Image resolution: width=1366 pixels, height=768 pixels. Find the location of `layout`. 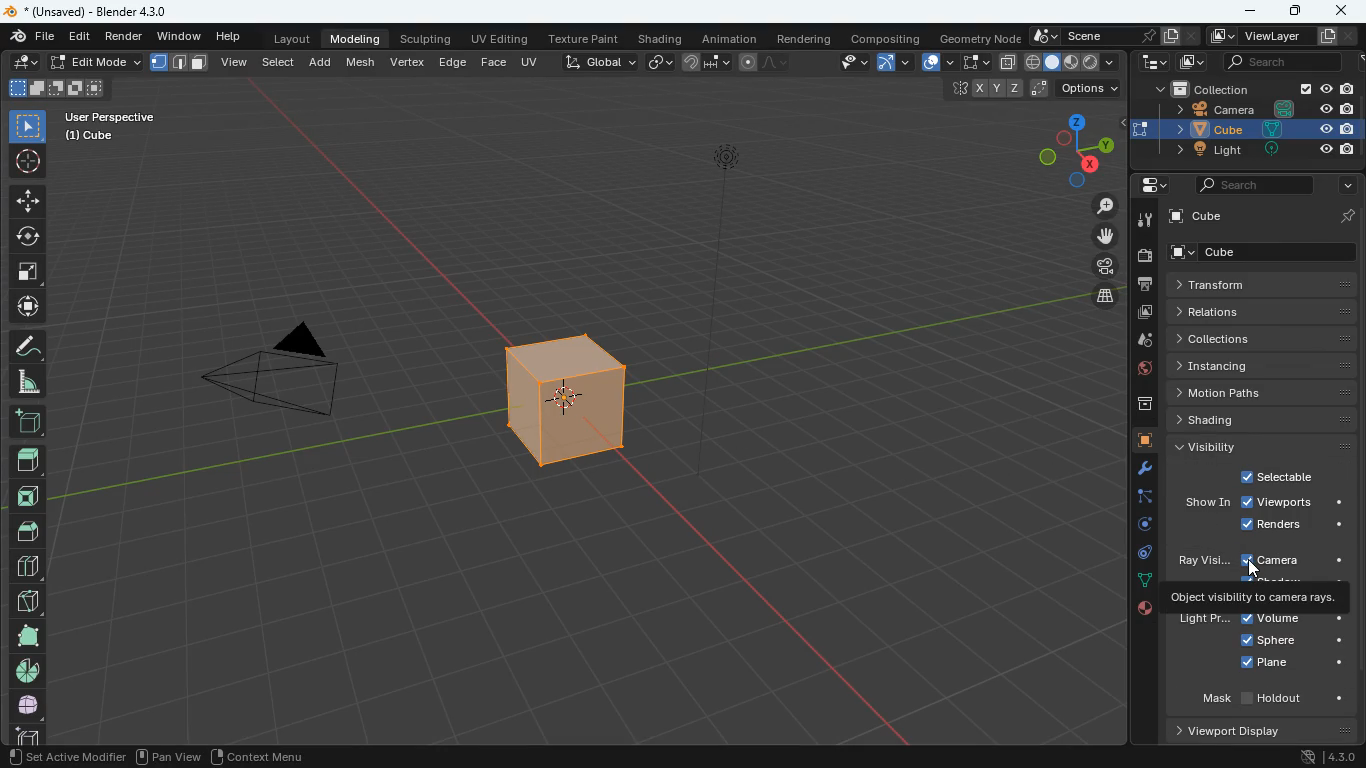

layout is located at coordinates (1072, 64).